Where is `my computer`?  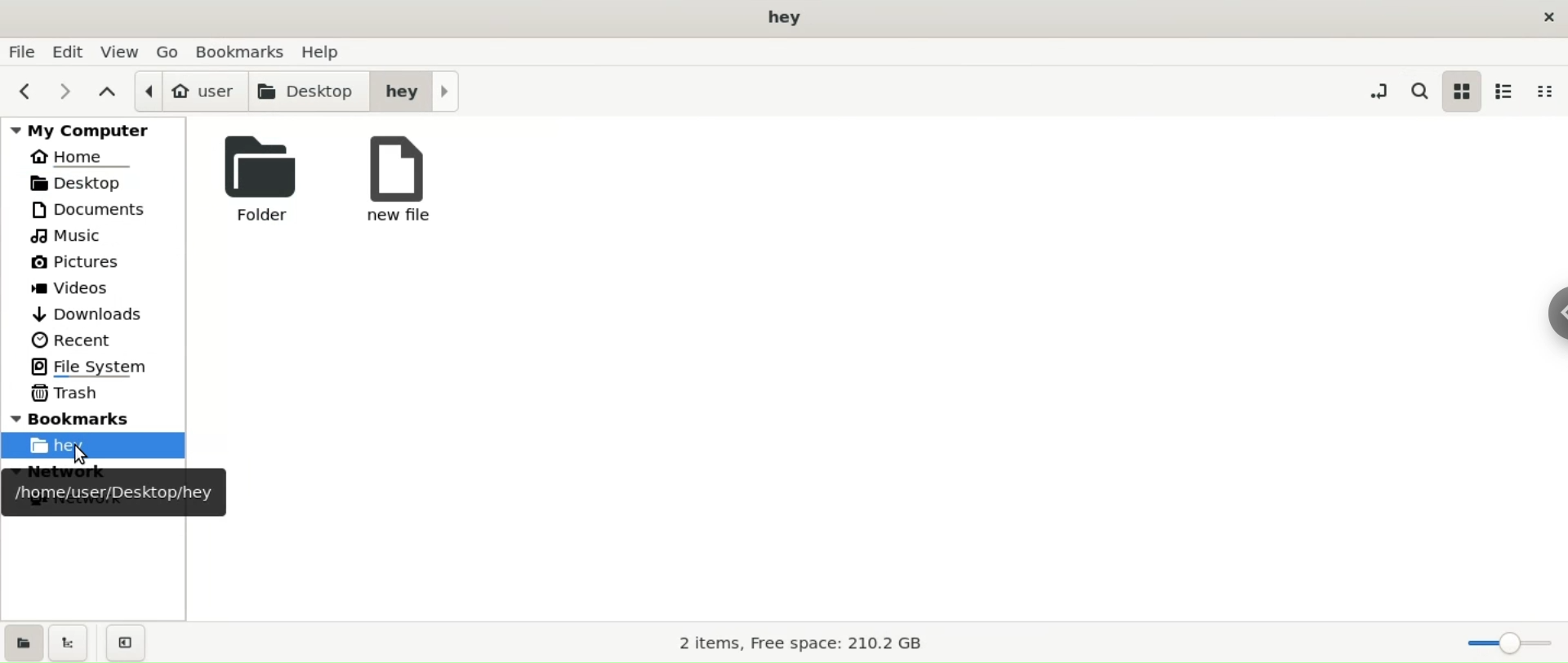 my computer is located at coordinates (96, 127).